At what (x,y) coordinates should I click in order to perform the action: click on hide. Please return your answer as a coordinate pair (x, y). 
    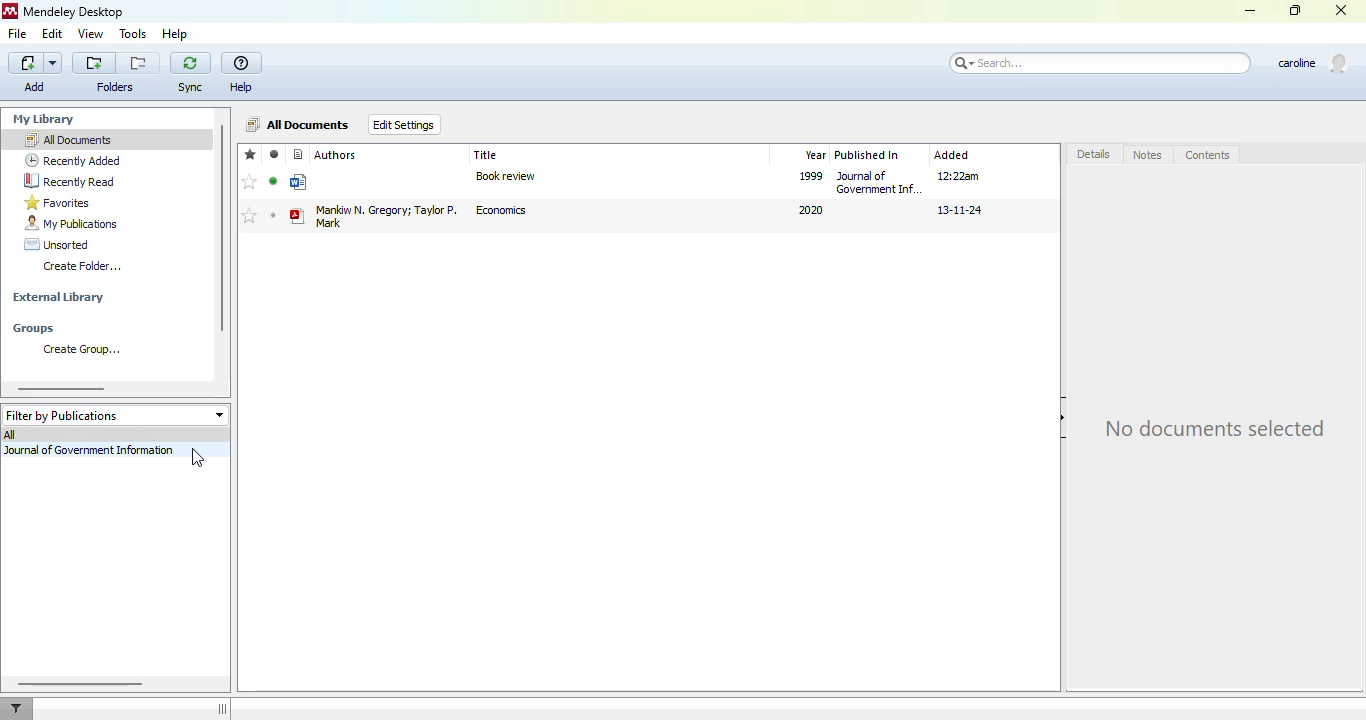
    Looking at the image, I should click on (1065, 417).